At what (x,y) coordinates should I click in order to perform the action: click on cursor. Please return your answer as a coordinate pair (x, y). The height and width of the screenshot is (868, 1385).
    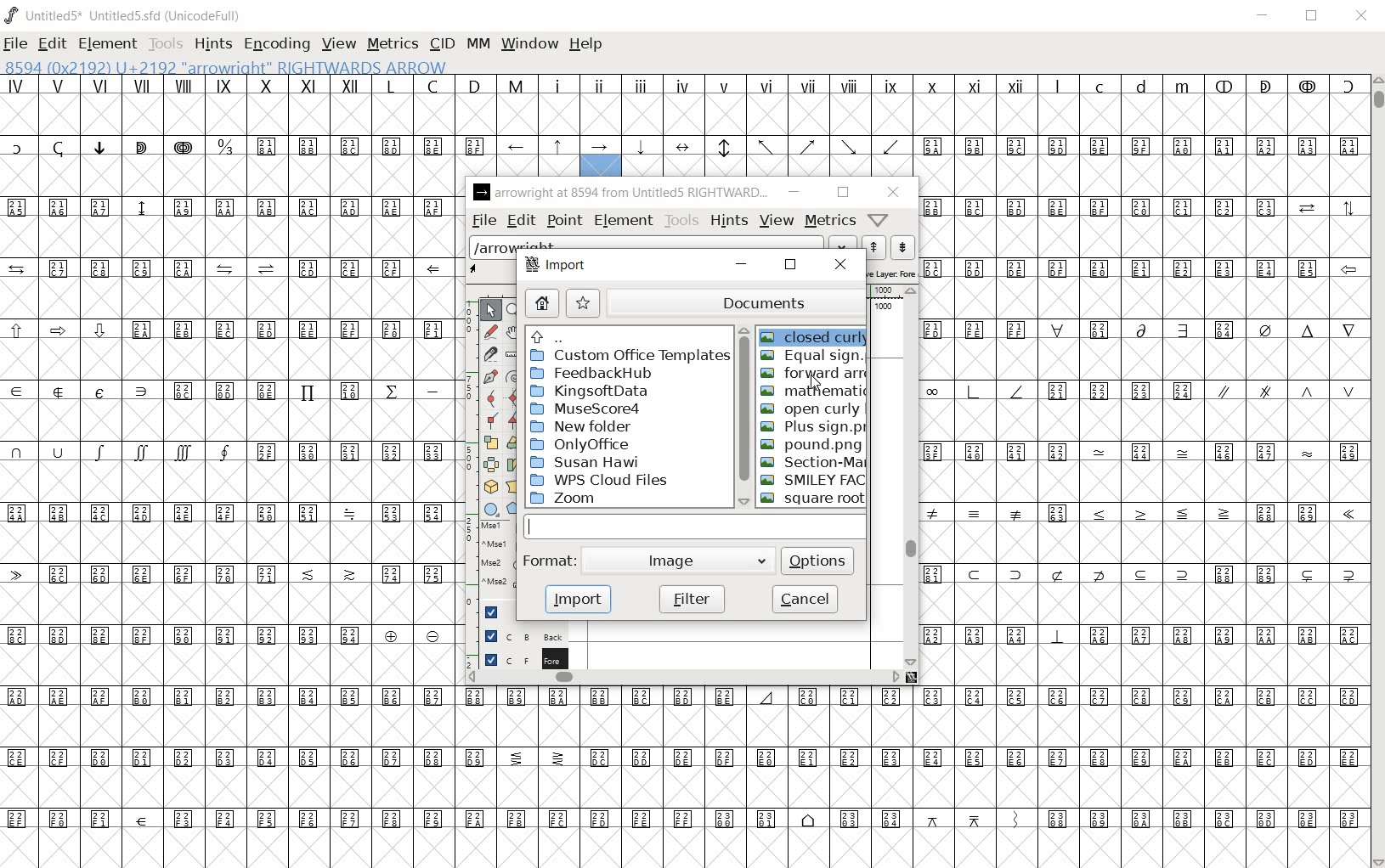
    Looking at the image, I should click on (812, 382).